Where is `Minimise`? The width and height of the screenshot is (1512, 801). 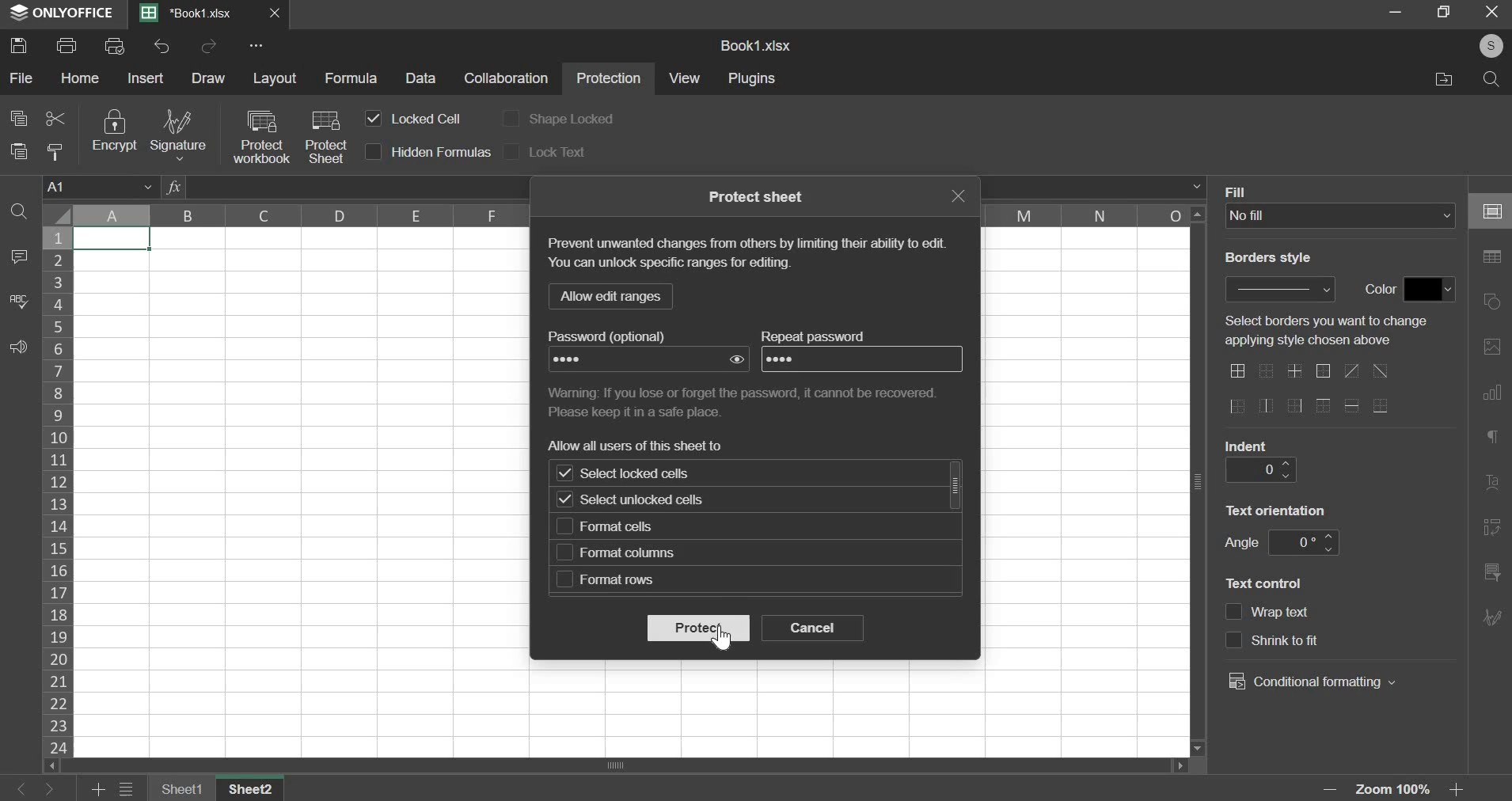
Minimise is located at coordinates (1445, 11).